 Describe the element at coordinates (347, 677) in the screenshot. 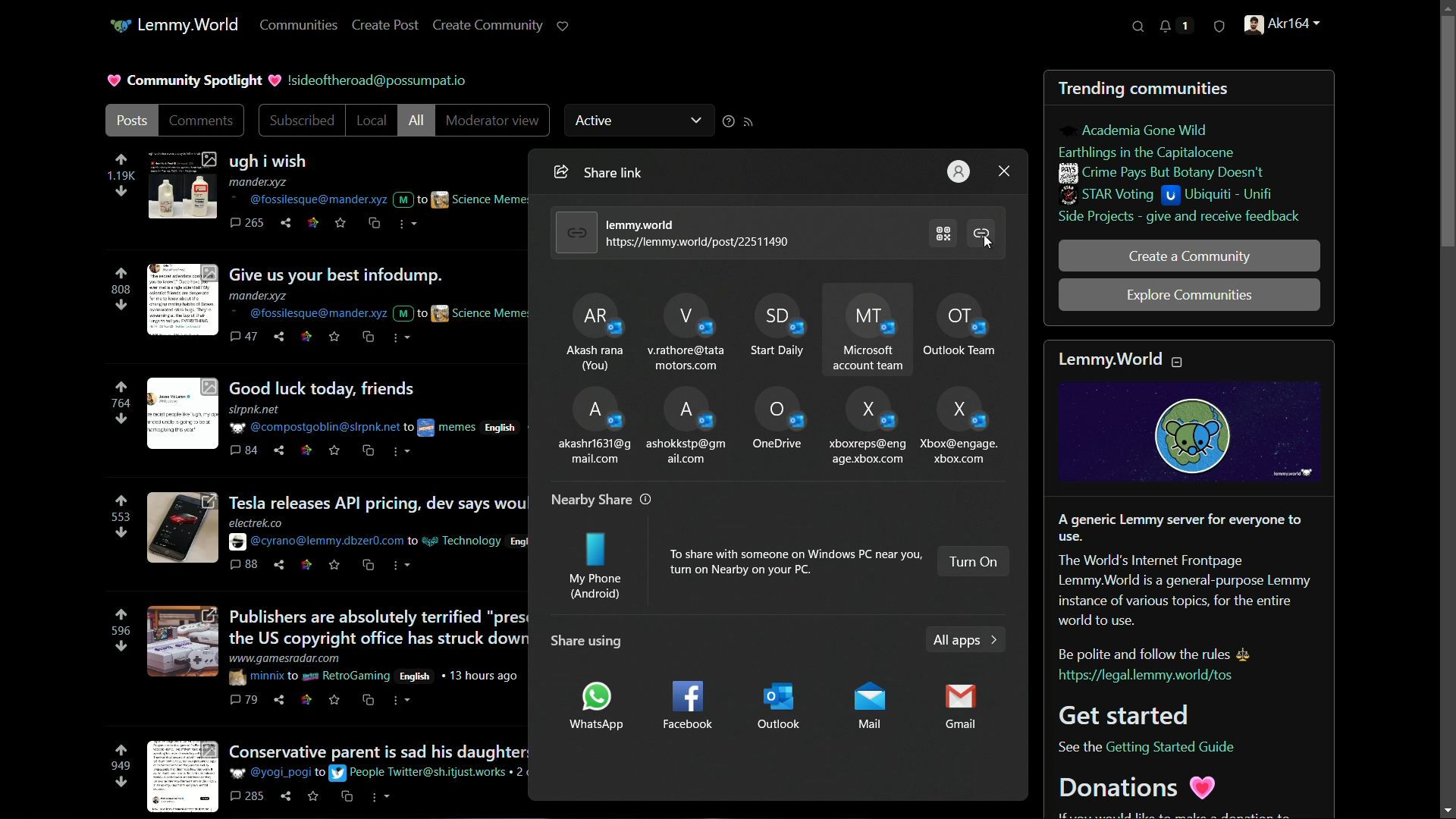

I see `retrogaming` at that location.